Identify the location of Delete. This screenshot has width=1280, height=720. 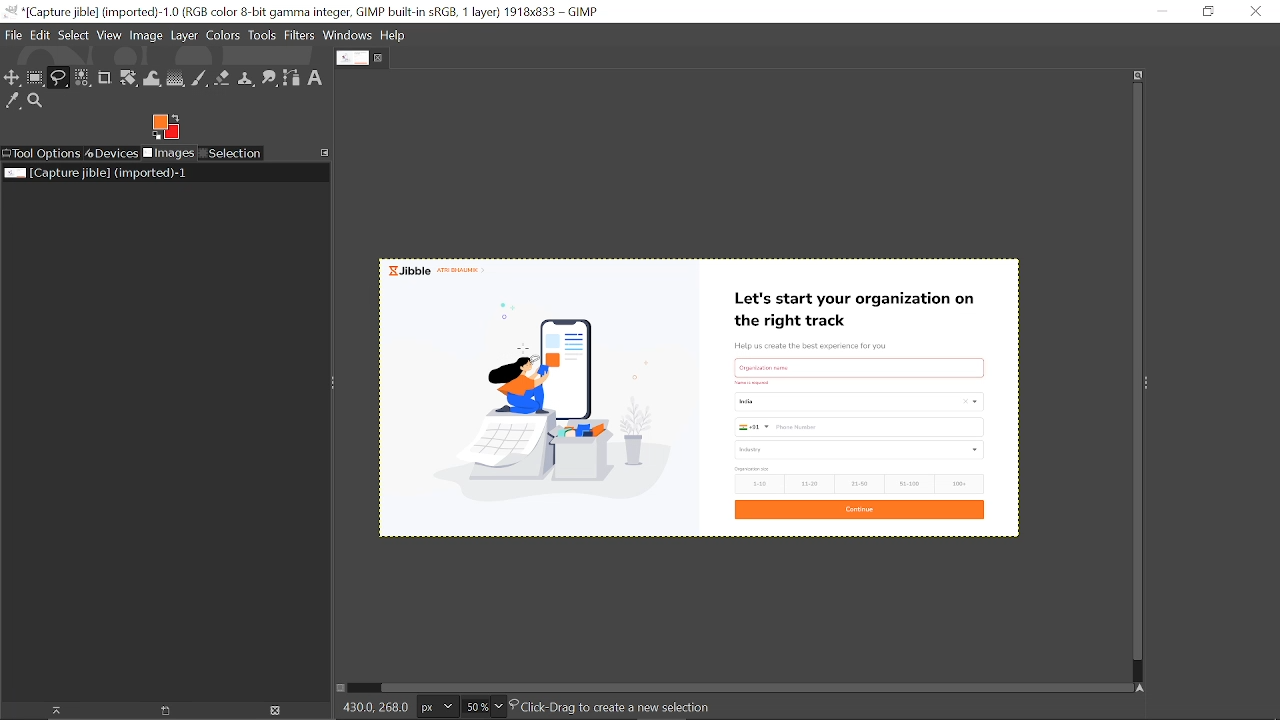
(274, 711).